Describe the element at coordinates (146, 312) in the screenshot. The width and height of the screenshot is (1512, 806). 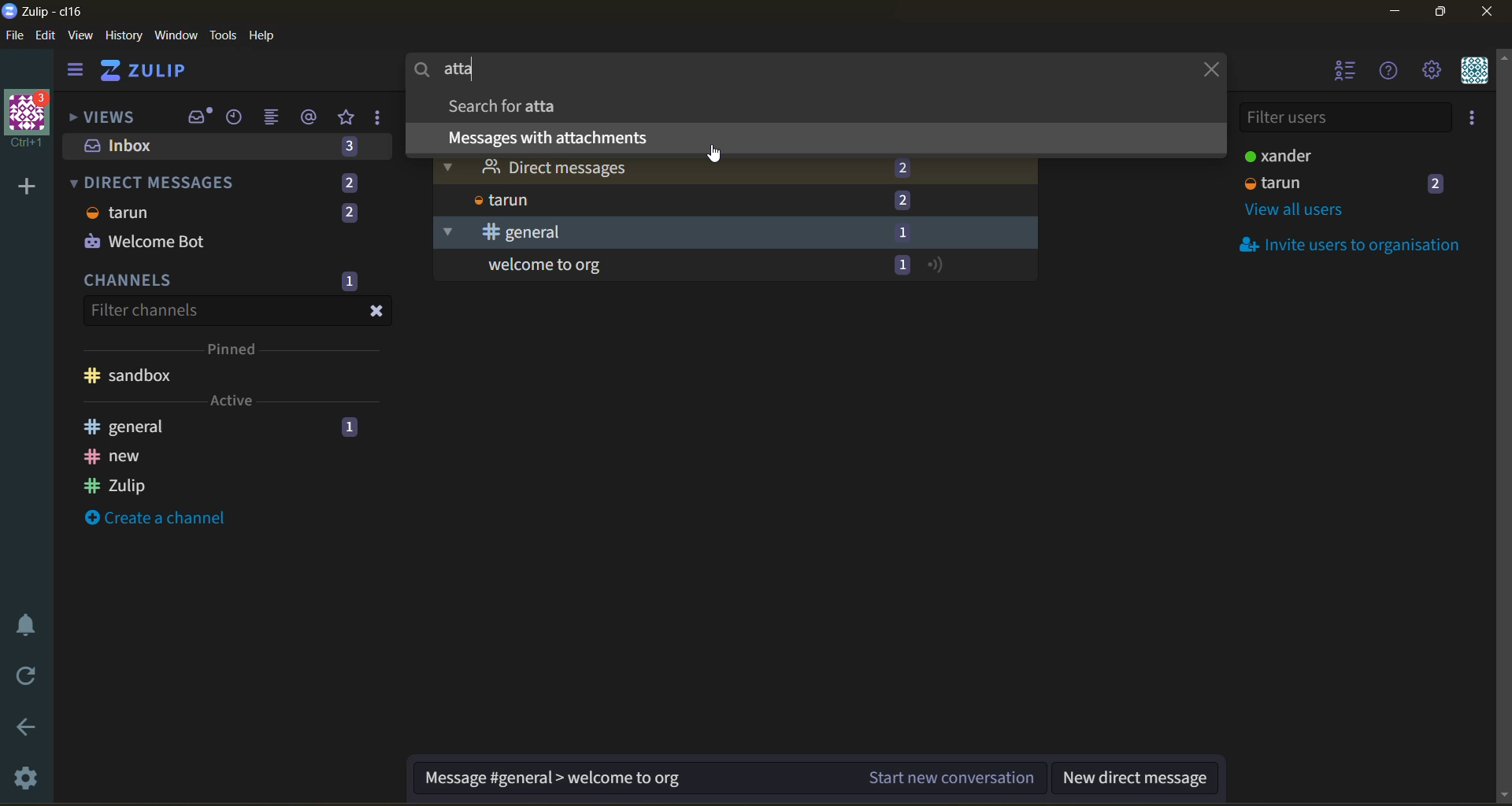
I see `filter channels` at that location.